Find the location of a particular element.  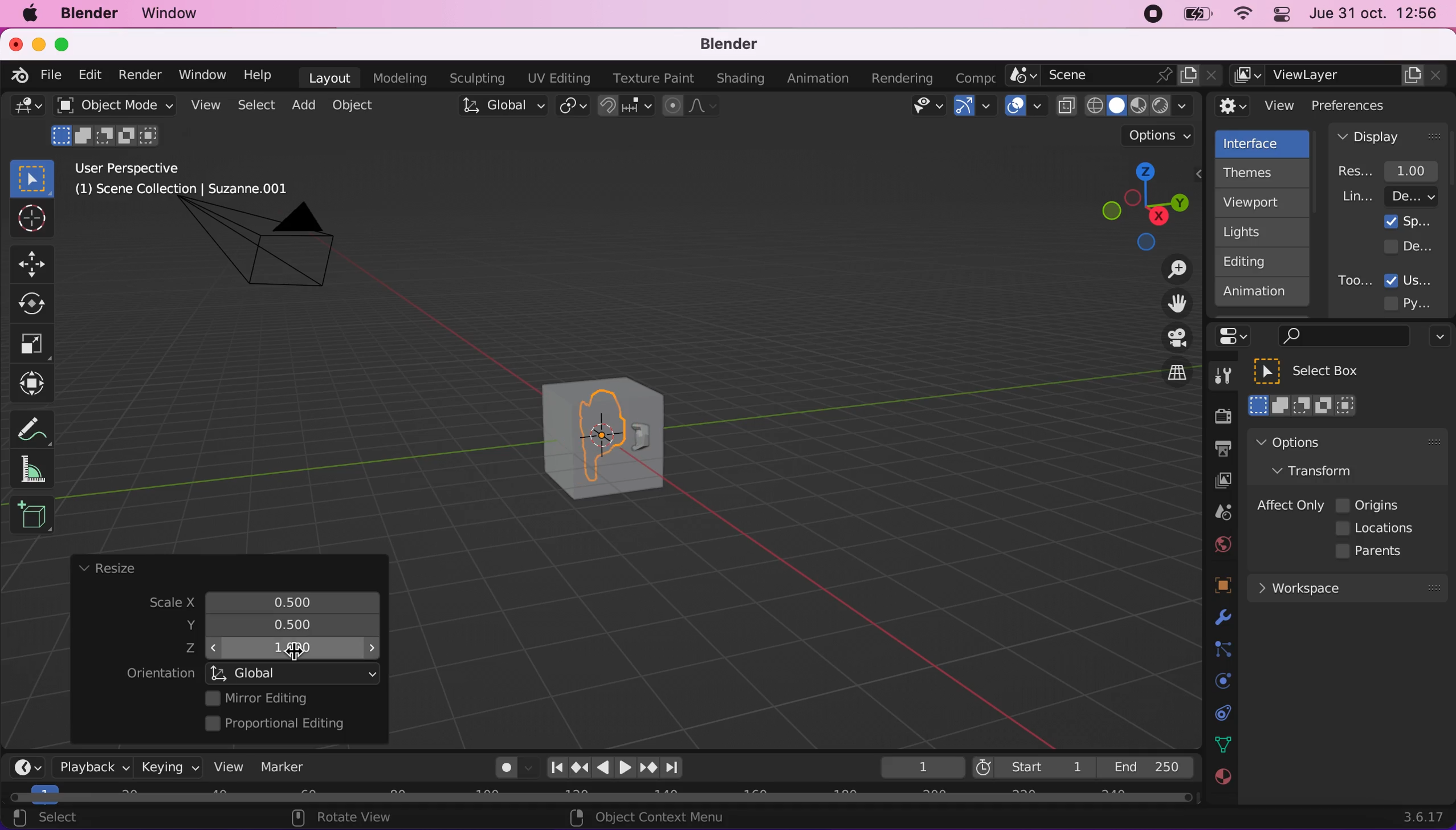

animation is located at coordinates (821, 79).